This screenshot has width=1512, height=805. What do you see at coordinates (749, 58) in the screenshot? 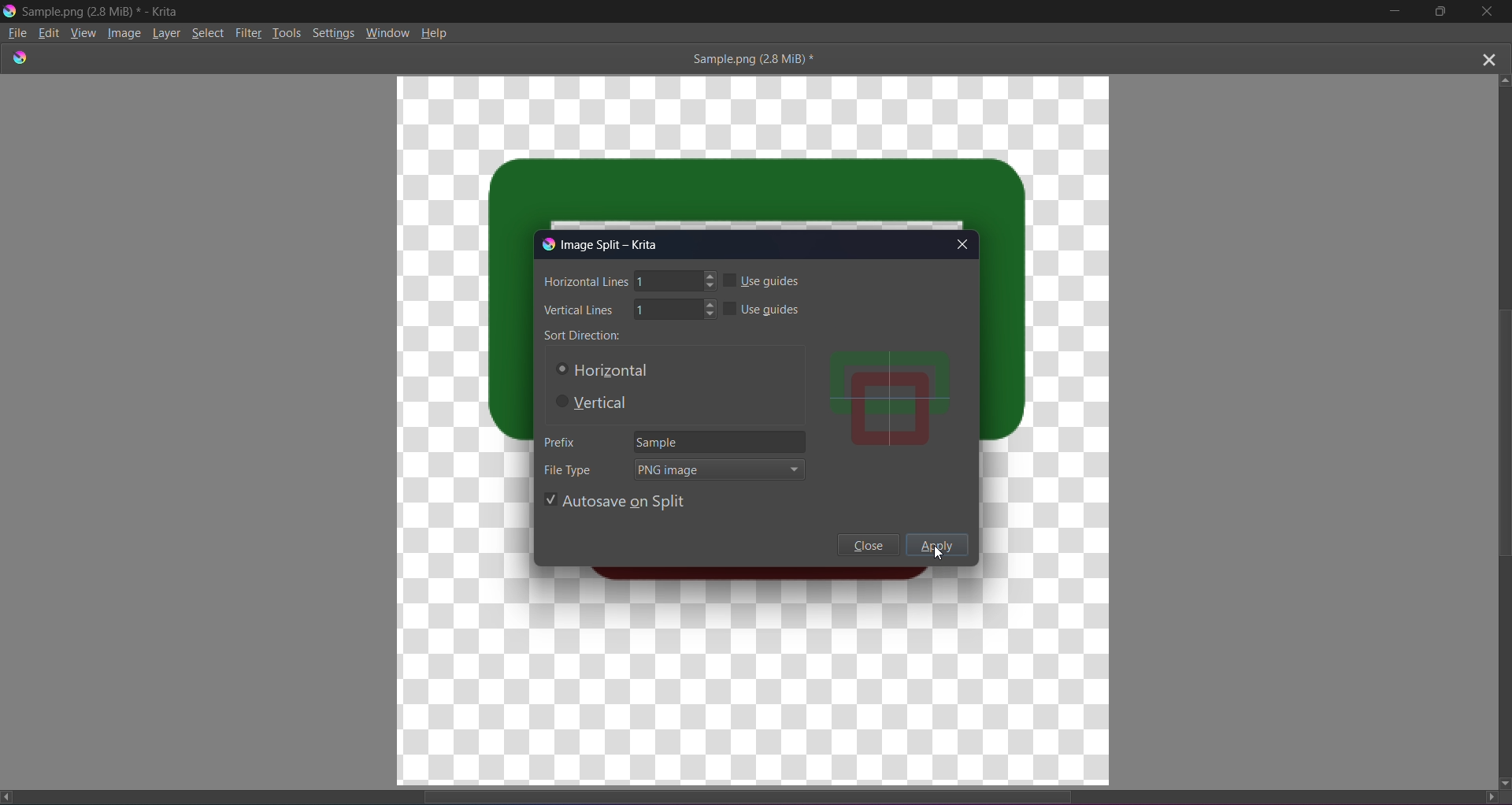
I see `Sample.png (2.8MiN)*` at bounding box center [749, 58].